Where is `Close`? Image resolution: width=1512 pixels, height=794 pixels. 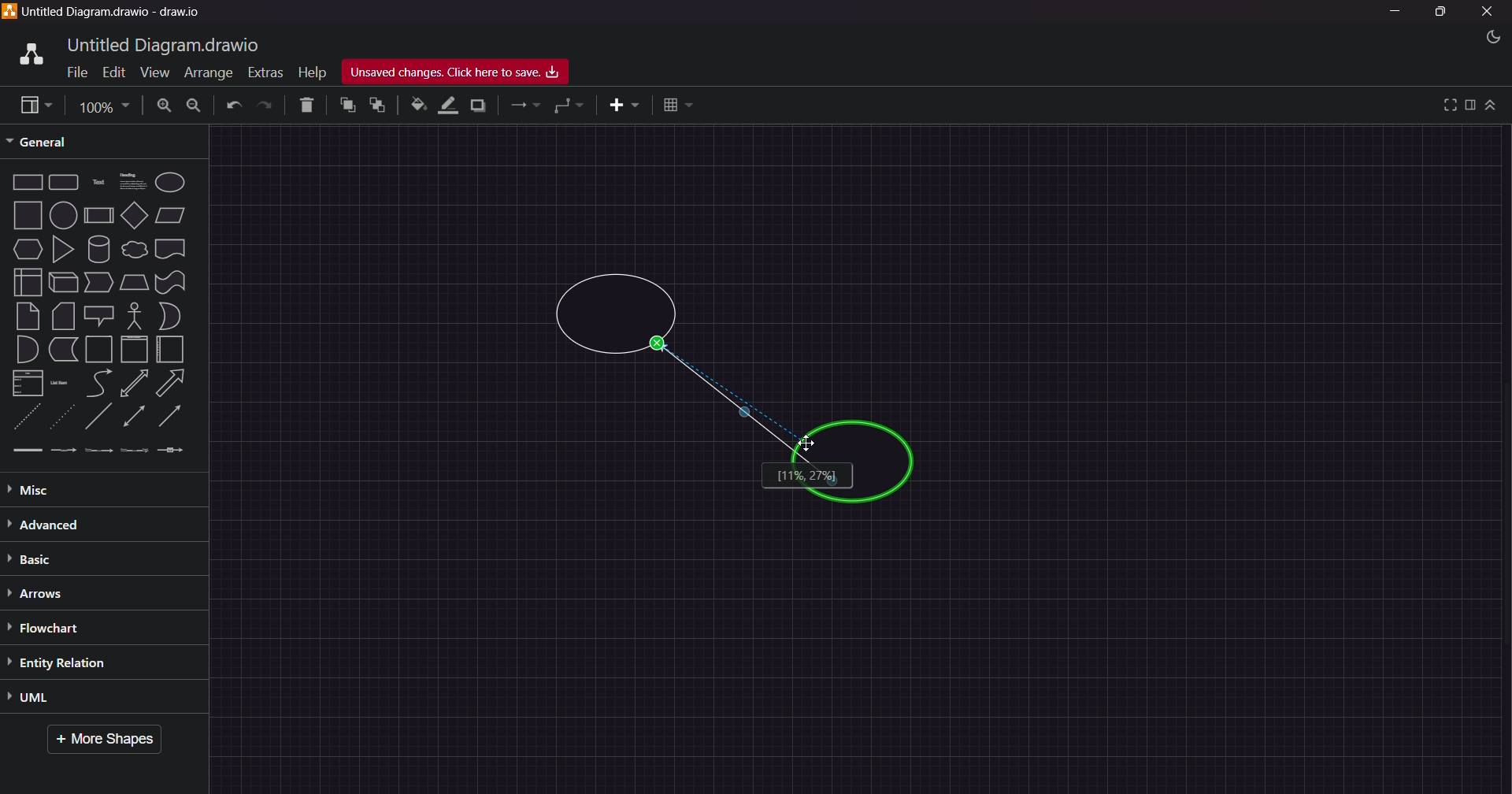
Close is located at coordinates (1488, 12).